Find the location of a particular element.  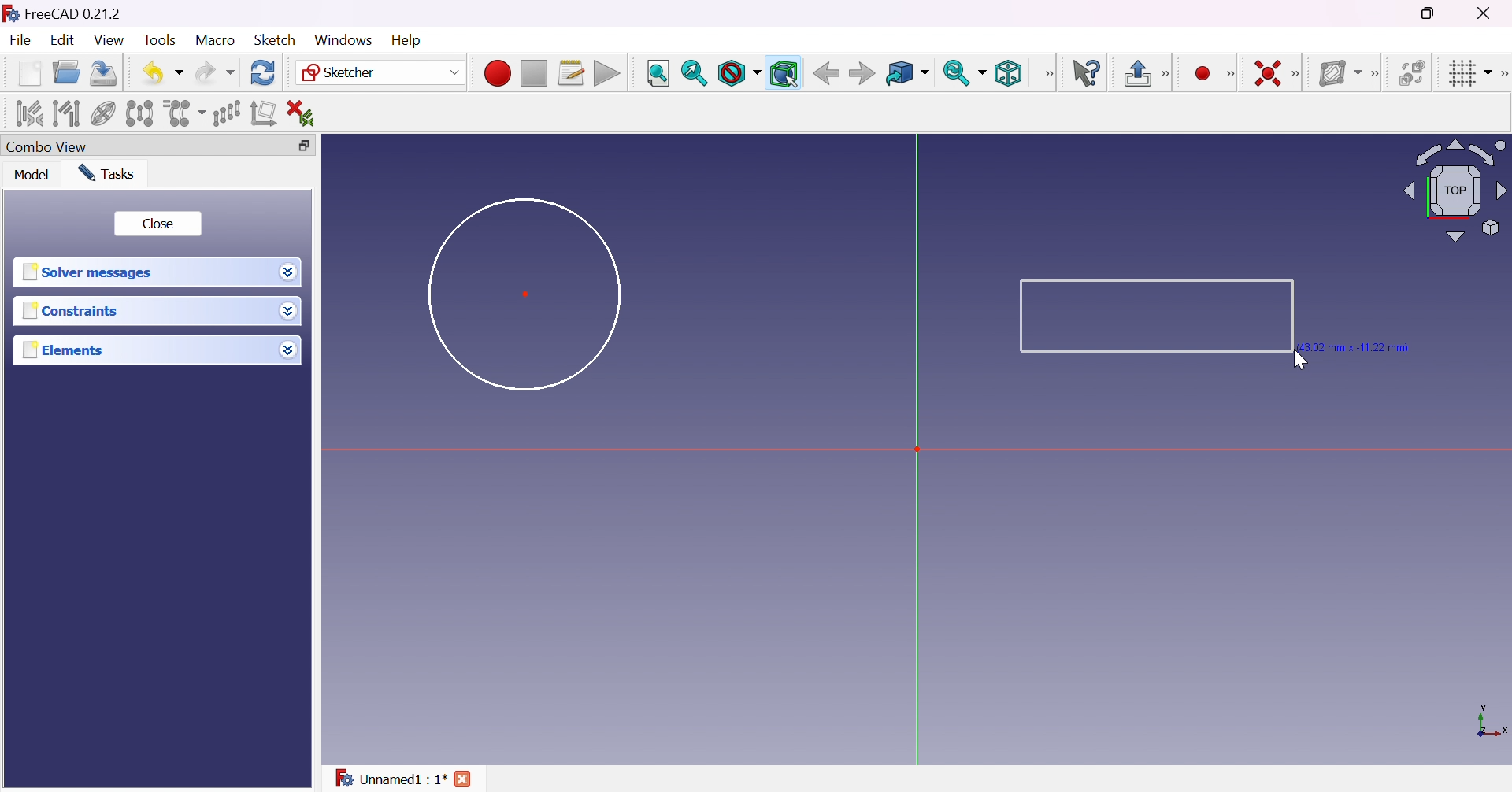

Fit selection is located at coordinates (694, 73).